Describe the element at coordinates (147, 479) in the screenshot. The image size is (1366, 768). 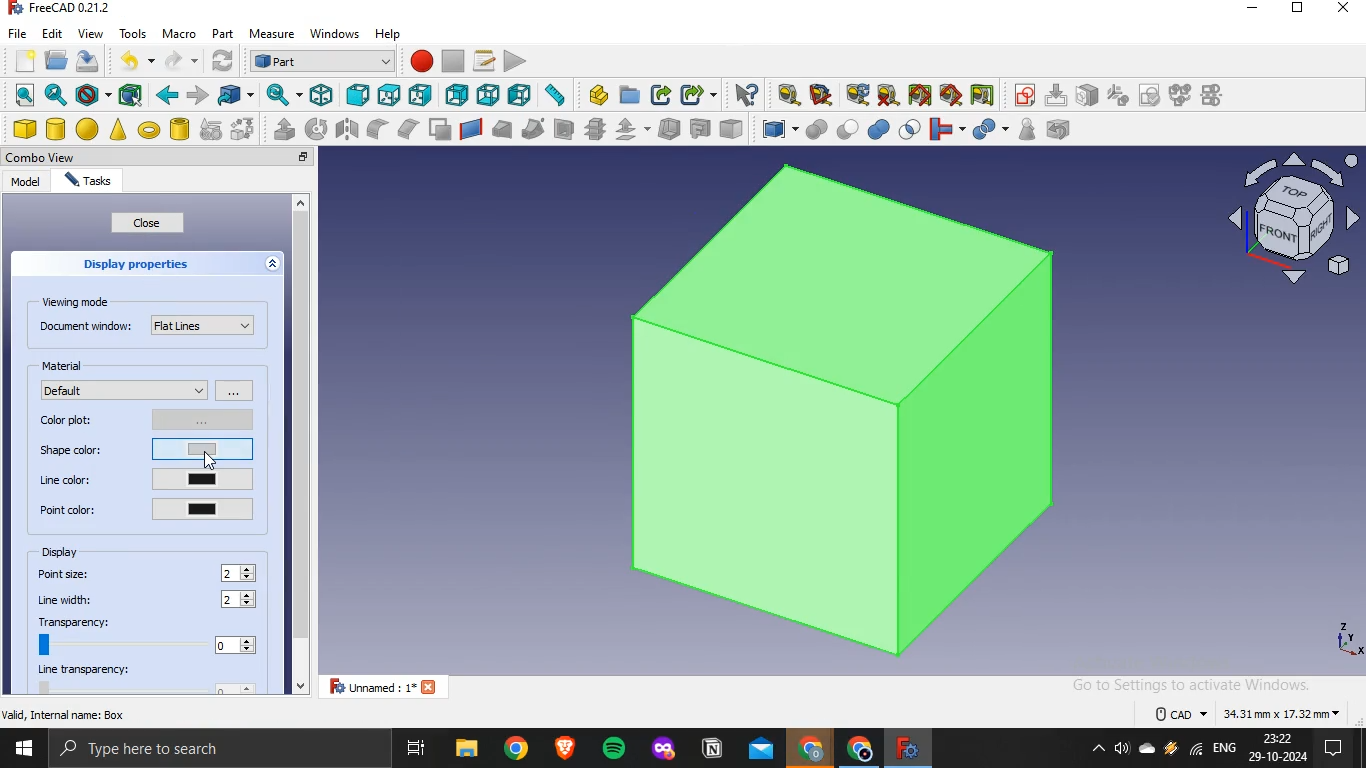
I see `line color` at that location.